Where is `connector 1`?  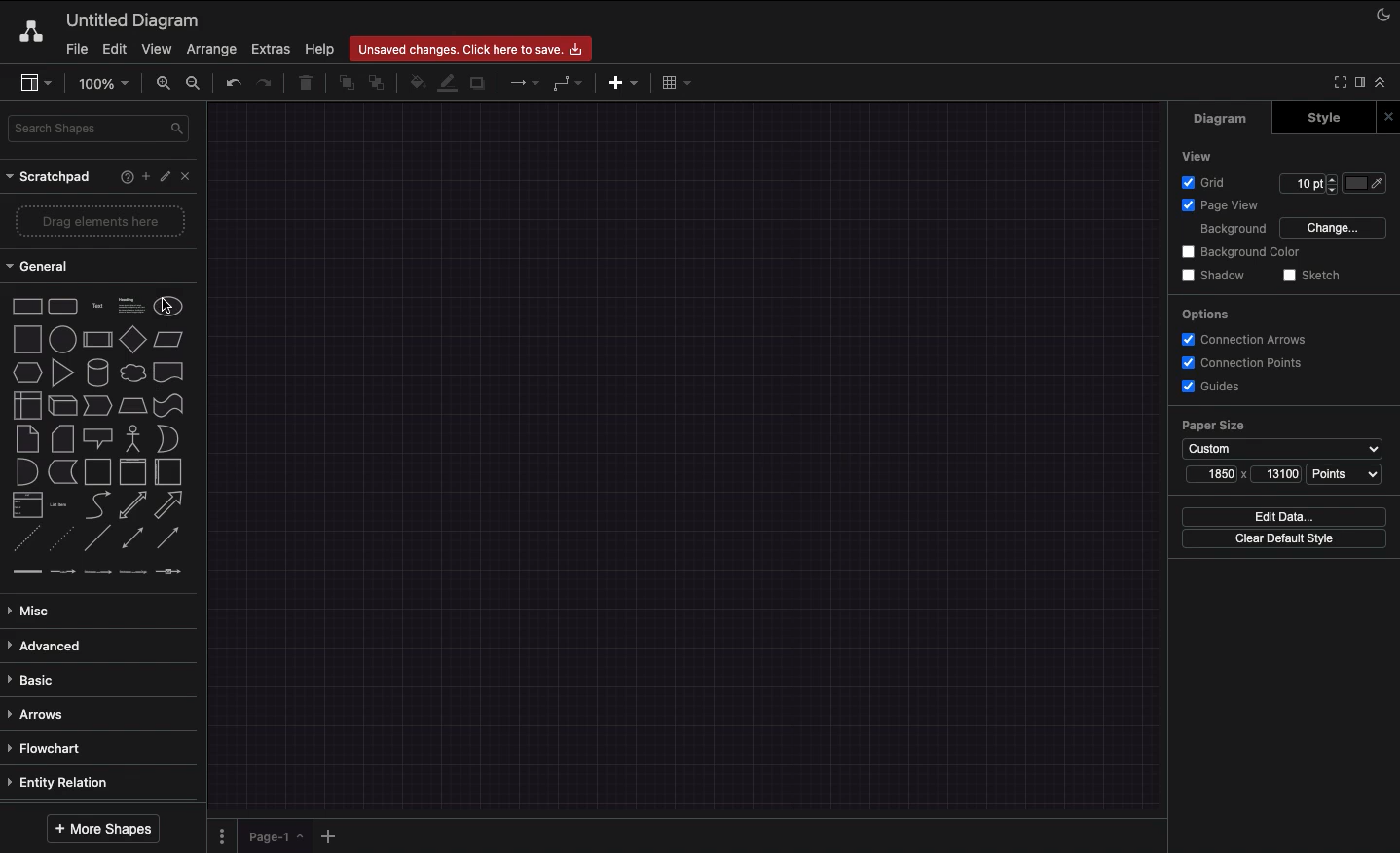
connector 1 is located at coordinates (24, 572).